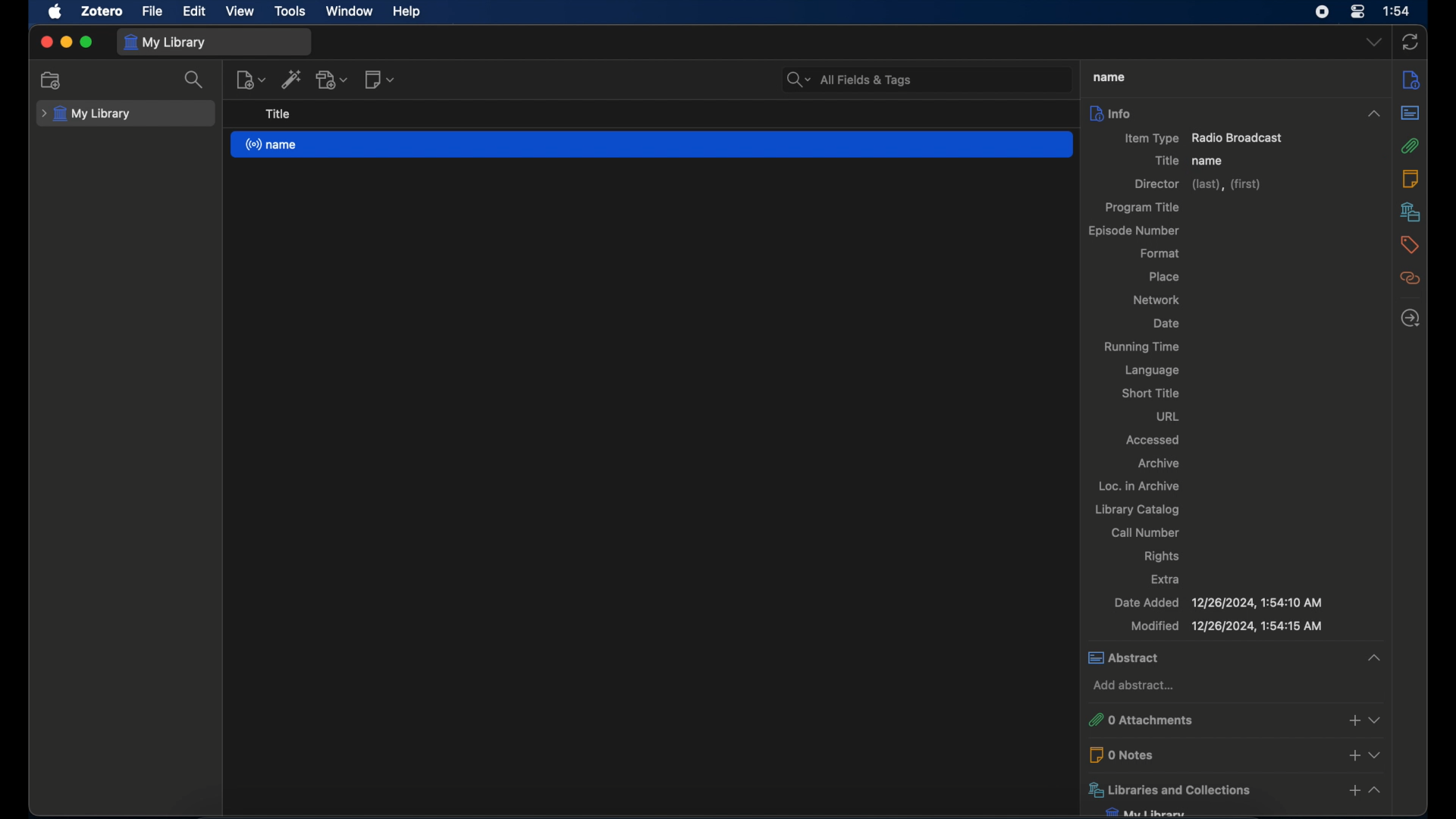 The width and height of the screenshot is (1456, 819). What do you see at coordinates (250, 79) in the screenshot?
I see `new item` at bounding box center [250, 79].